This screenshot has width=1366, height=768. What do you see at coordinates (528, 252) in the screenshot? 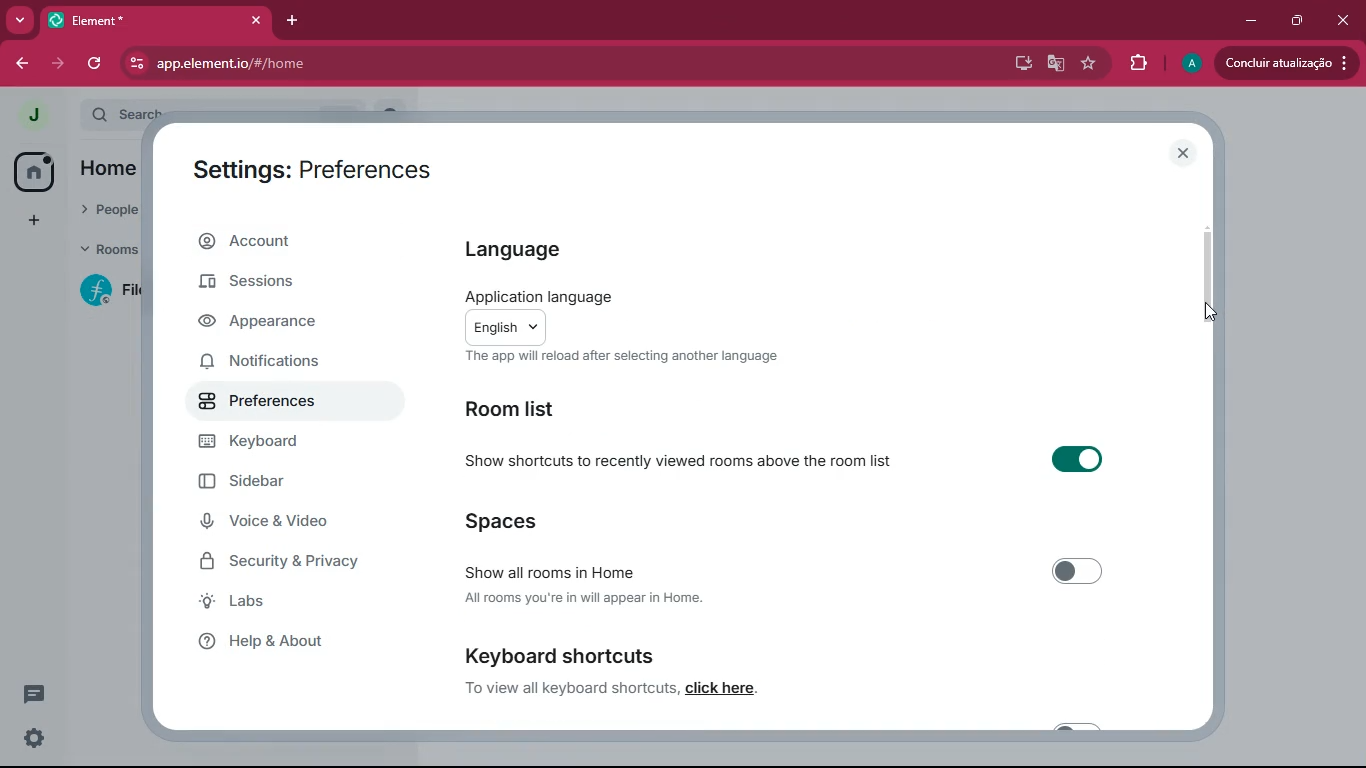
I see `language` at bounding box center [528, 252].